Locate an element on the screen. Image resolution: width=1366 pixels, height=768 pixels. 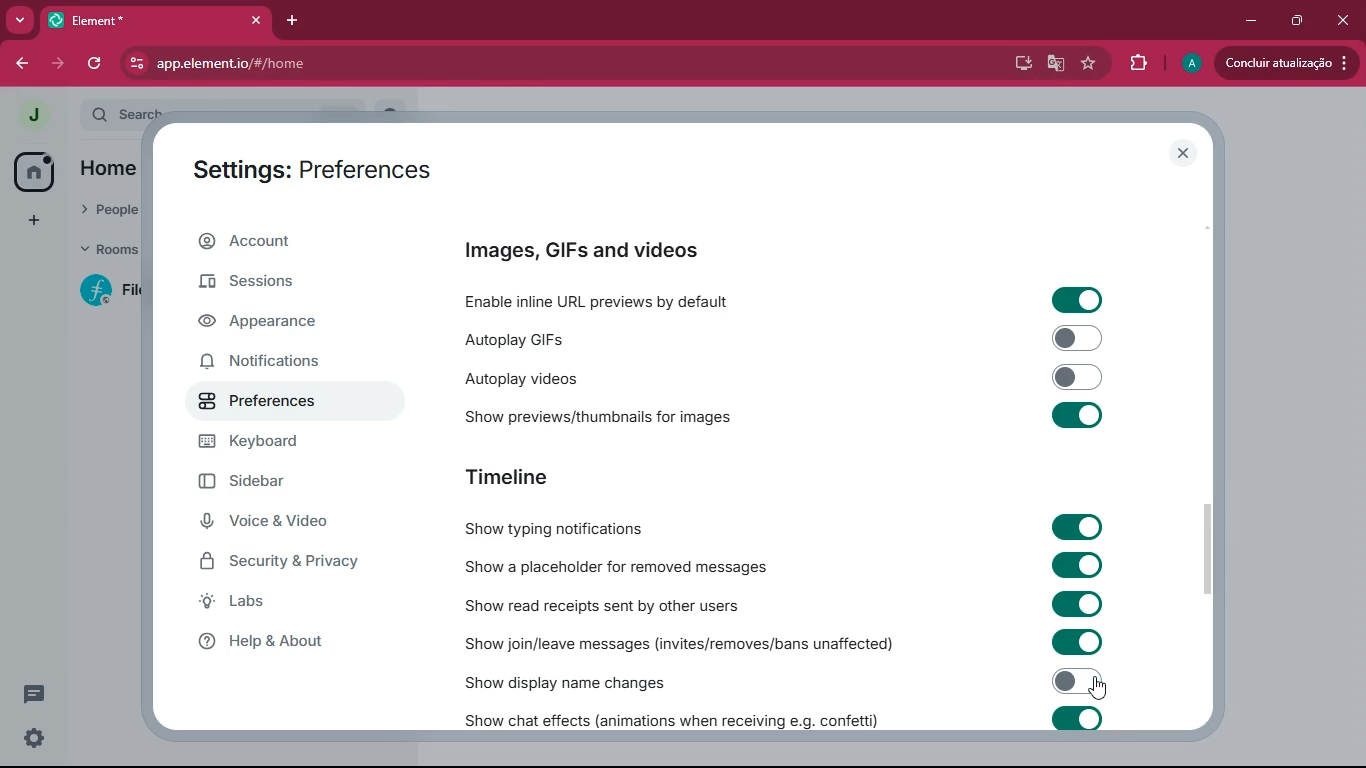
voice & video is located at coordinates (269, 520).